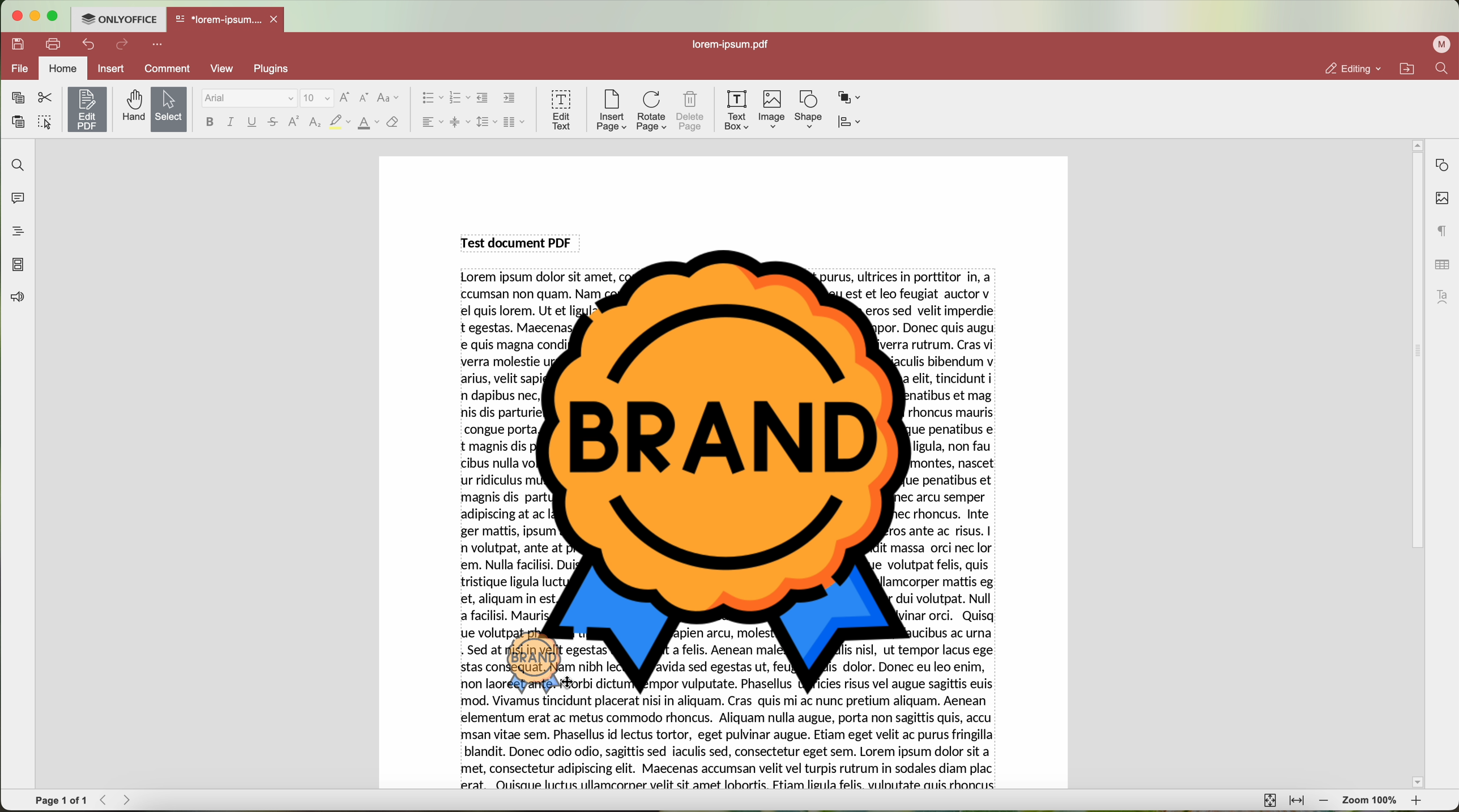  I want to click on insert columns, so click(515, 123).